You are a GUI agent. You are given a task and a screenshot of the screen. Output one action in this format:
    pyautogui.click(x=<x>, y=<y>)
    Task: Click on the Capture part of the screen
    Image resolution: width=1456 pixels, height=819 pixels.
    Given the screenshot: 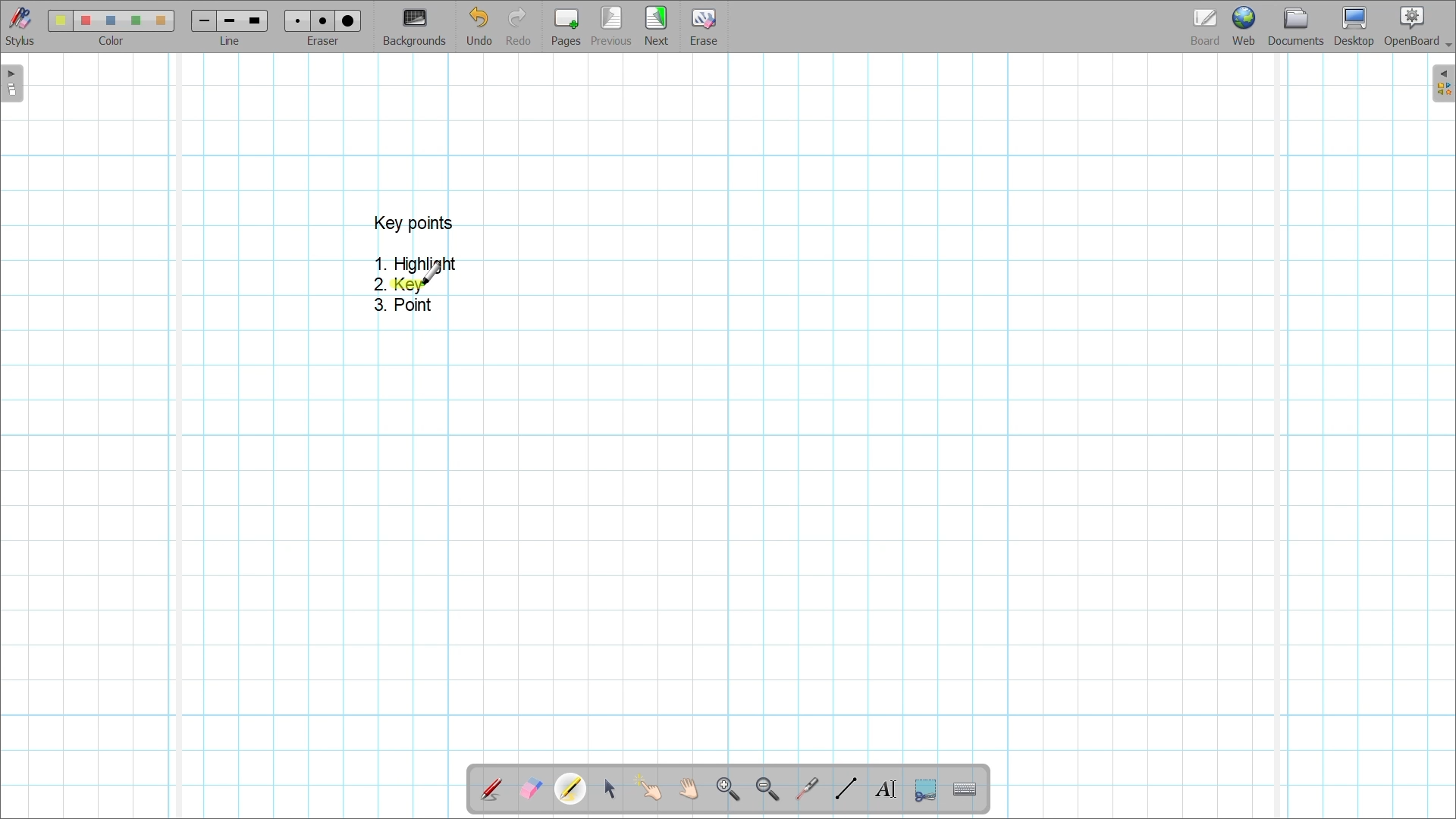 What is the action you would take?
    pyautogui.click(x=926, y=791)
    